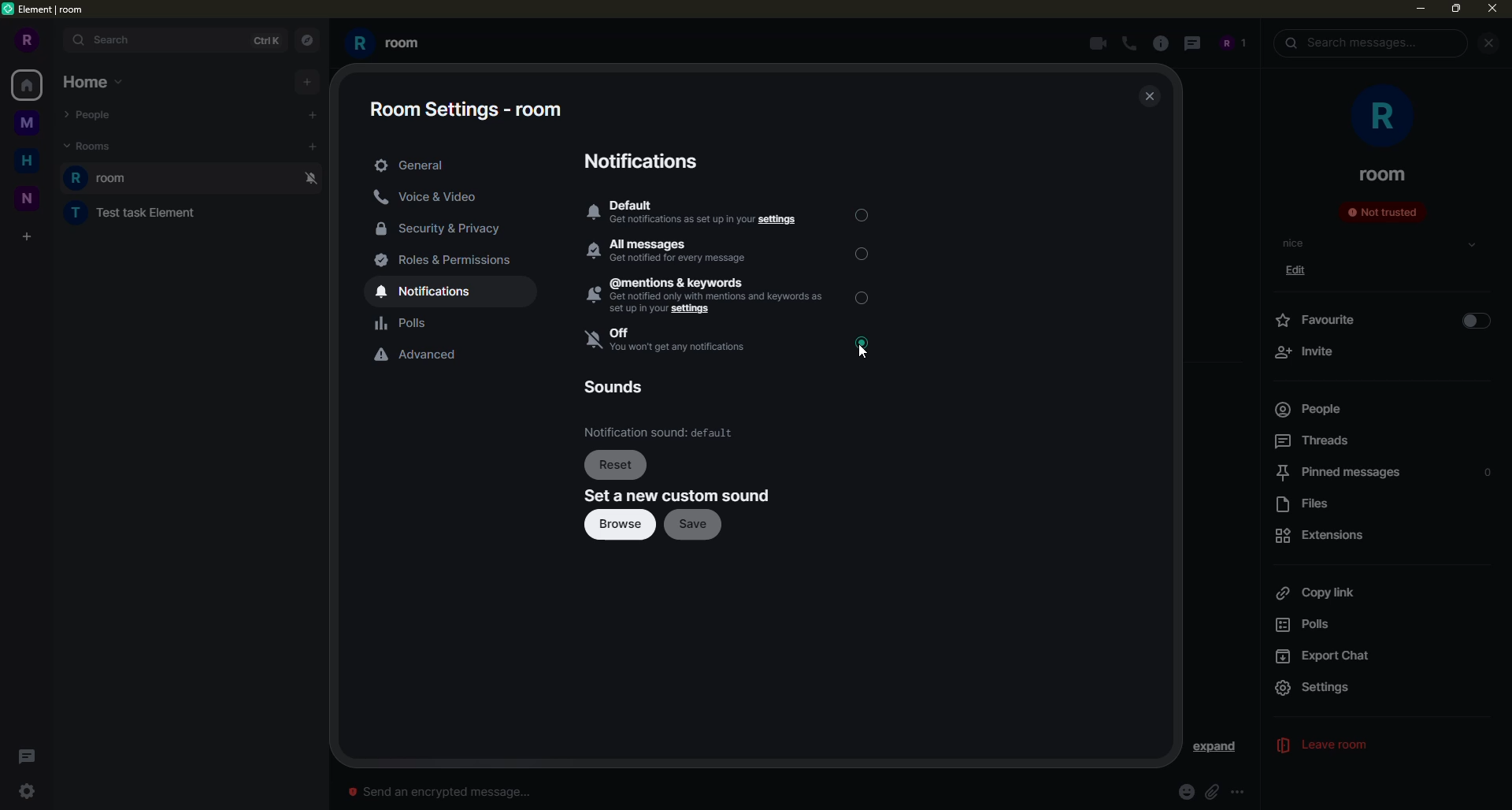 This screenshot has height=810, width=1512. I want to click on room, so click(1383, 174).